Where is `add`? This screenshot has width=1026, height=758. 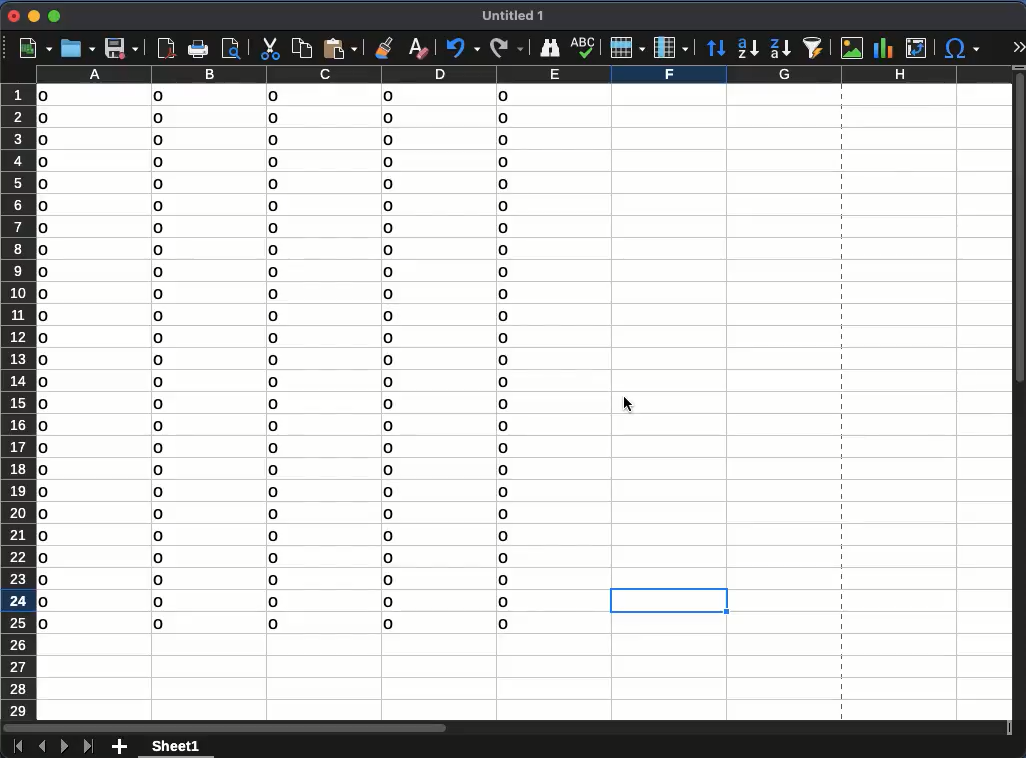
add is located at coordinates (121, 747).